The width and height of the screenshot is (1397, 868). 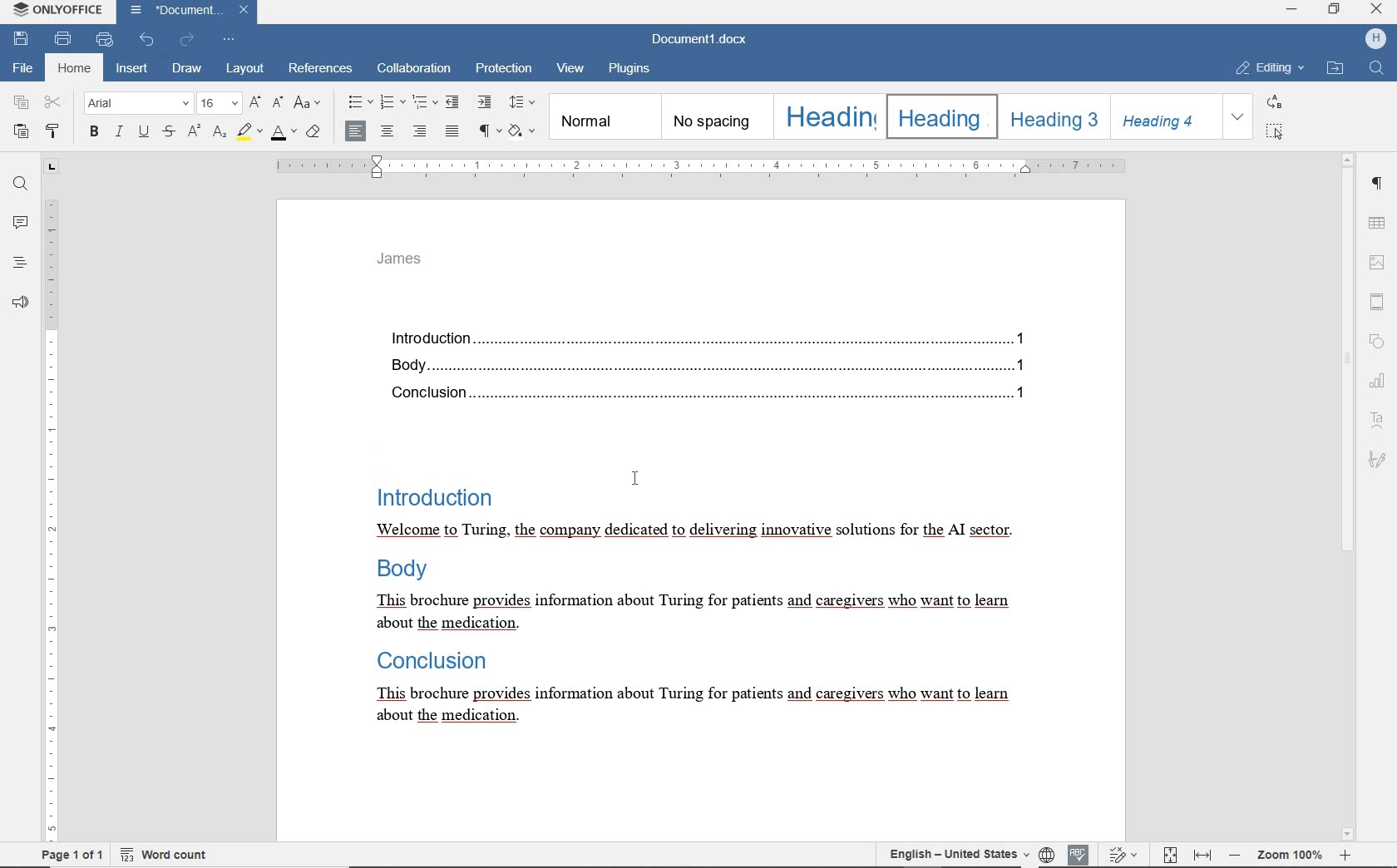 I want to click on Introduction, so click(x=435, y=489).